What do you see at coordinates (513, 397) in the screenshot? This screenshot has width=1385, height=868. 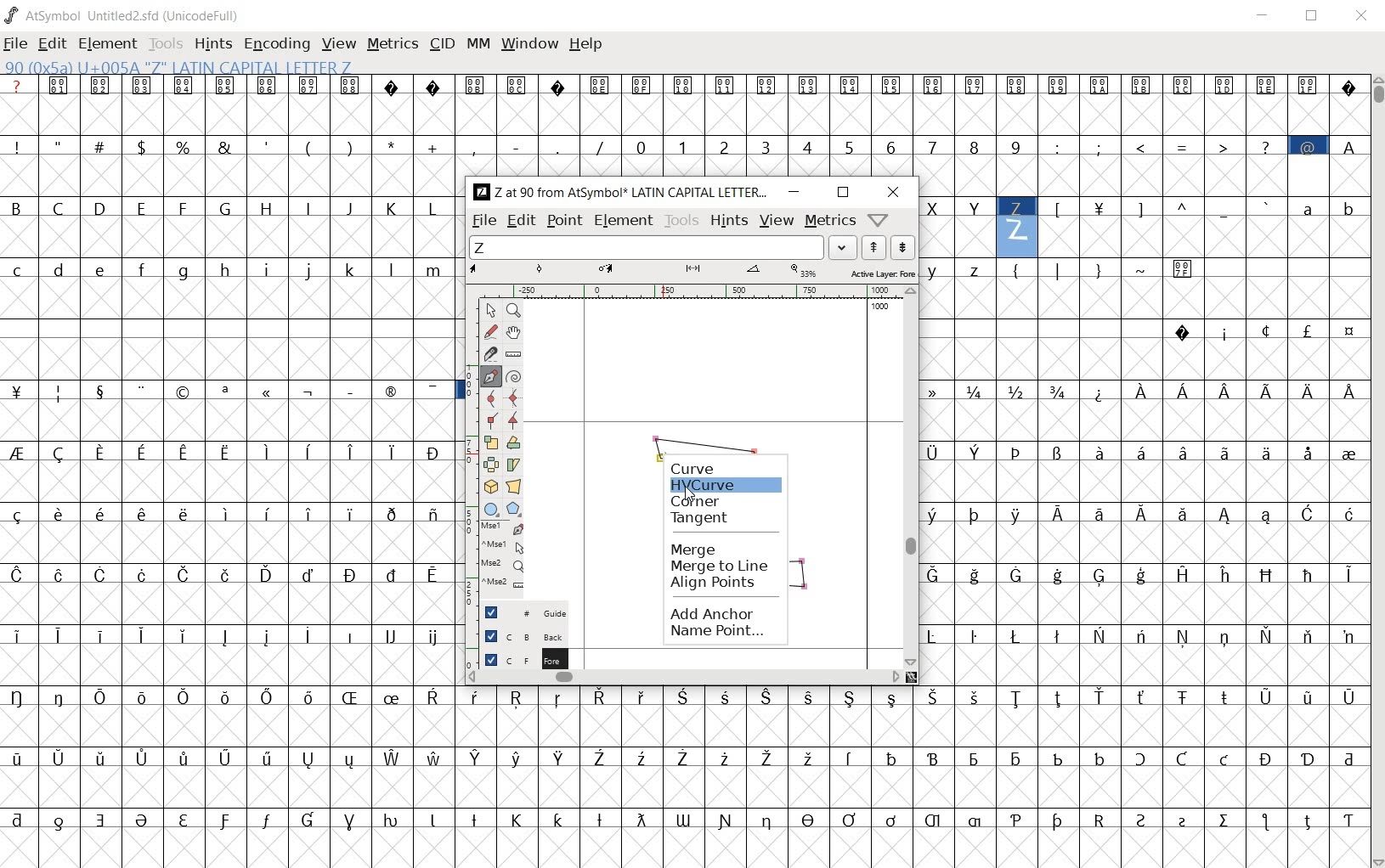 I see `add a curve point always either horizontal or vertical` at bounding box center [513, 397].